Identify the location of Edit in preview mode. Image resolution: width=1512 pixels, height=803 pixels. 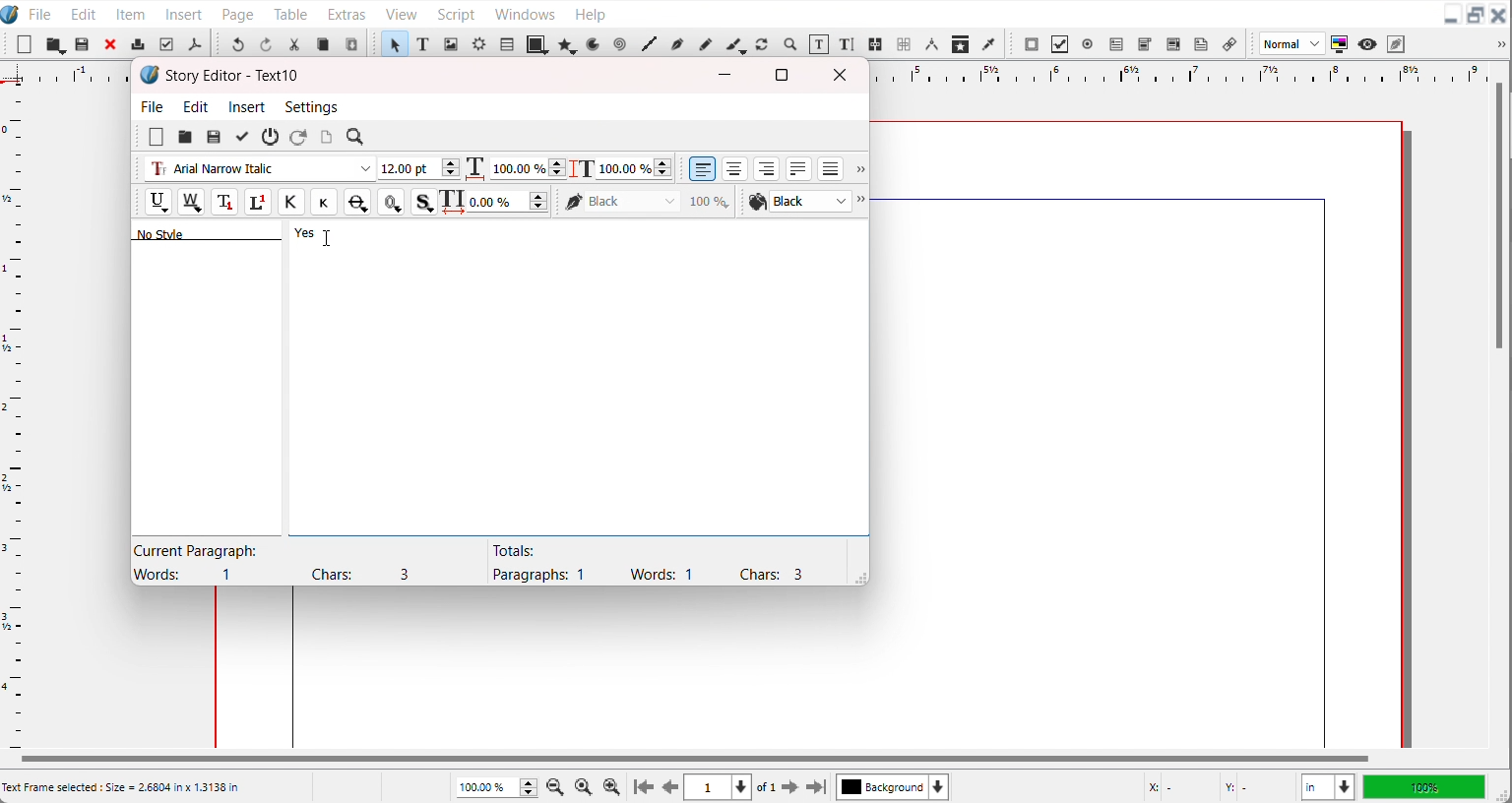
(1397, 43).